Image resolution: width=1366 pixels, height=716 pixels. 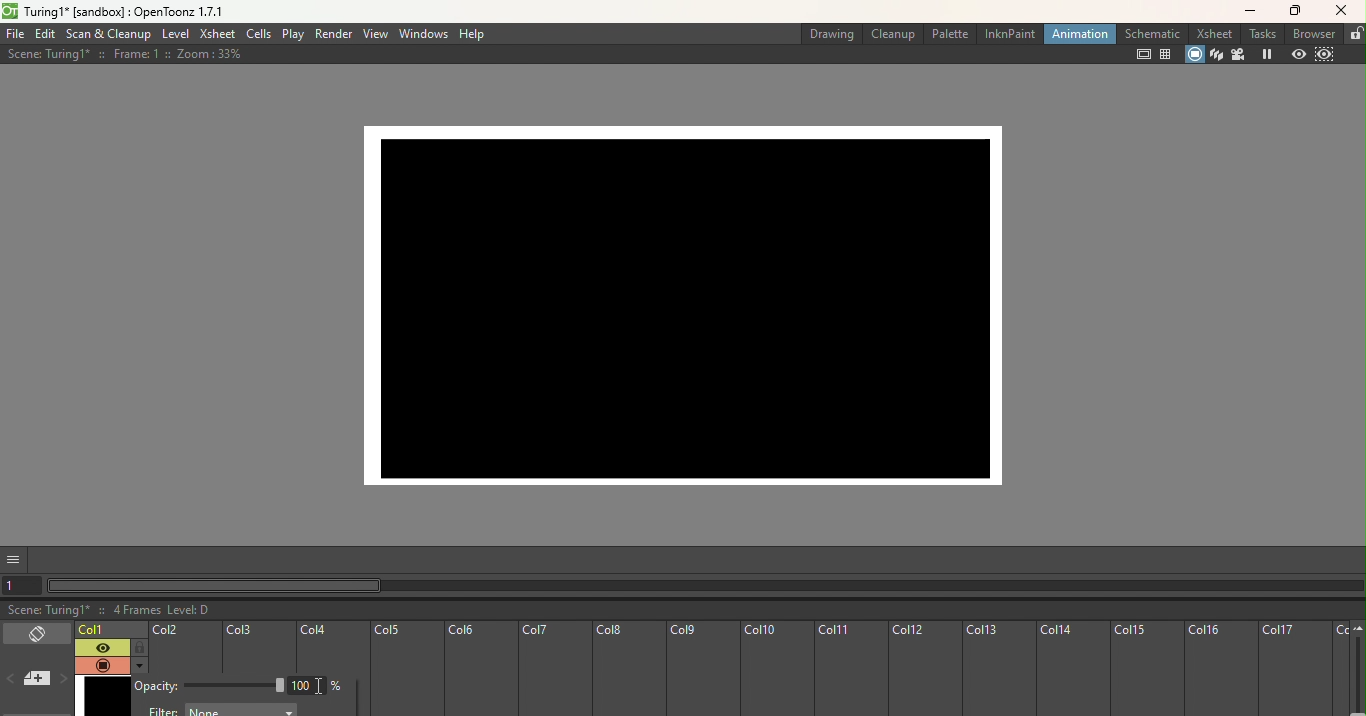 What do you see at coordinates (36, 680) in the screenshot?
I see `Add new memo` at bounding box center [36, 680].